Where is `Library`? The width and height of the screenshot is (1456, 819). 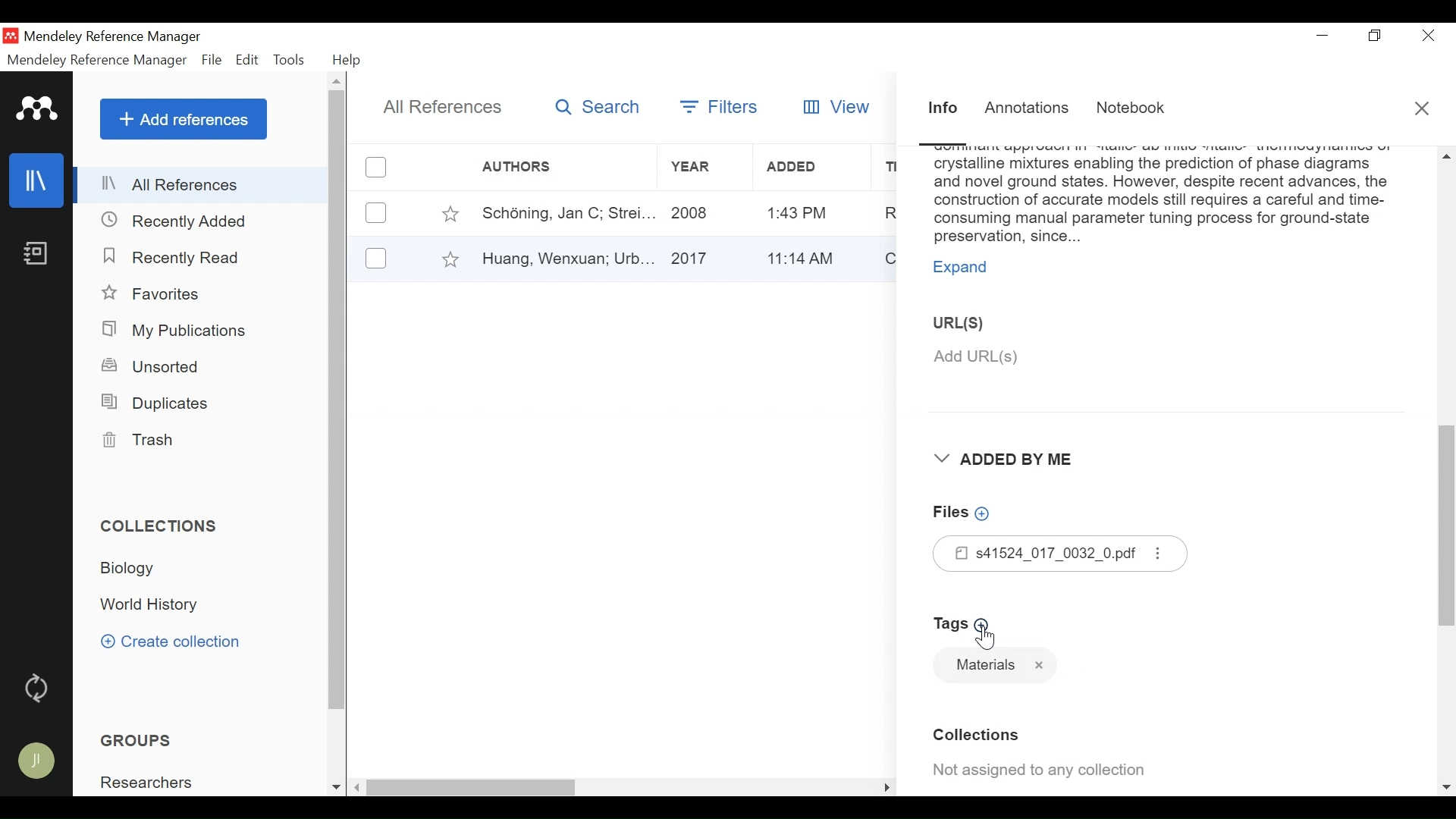 Library is located at coordinates (37, 180).